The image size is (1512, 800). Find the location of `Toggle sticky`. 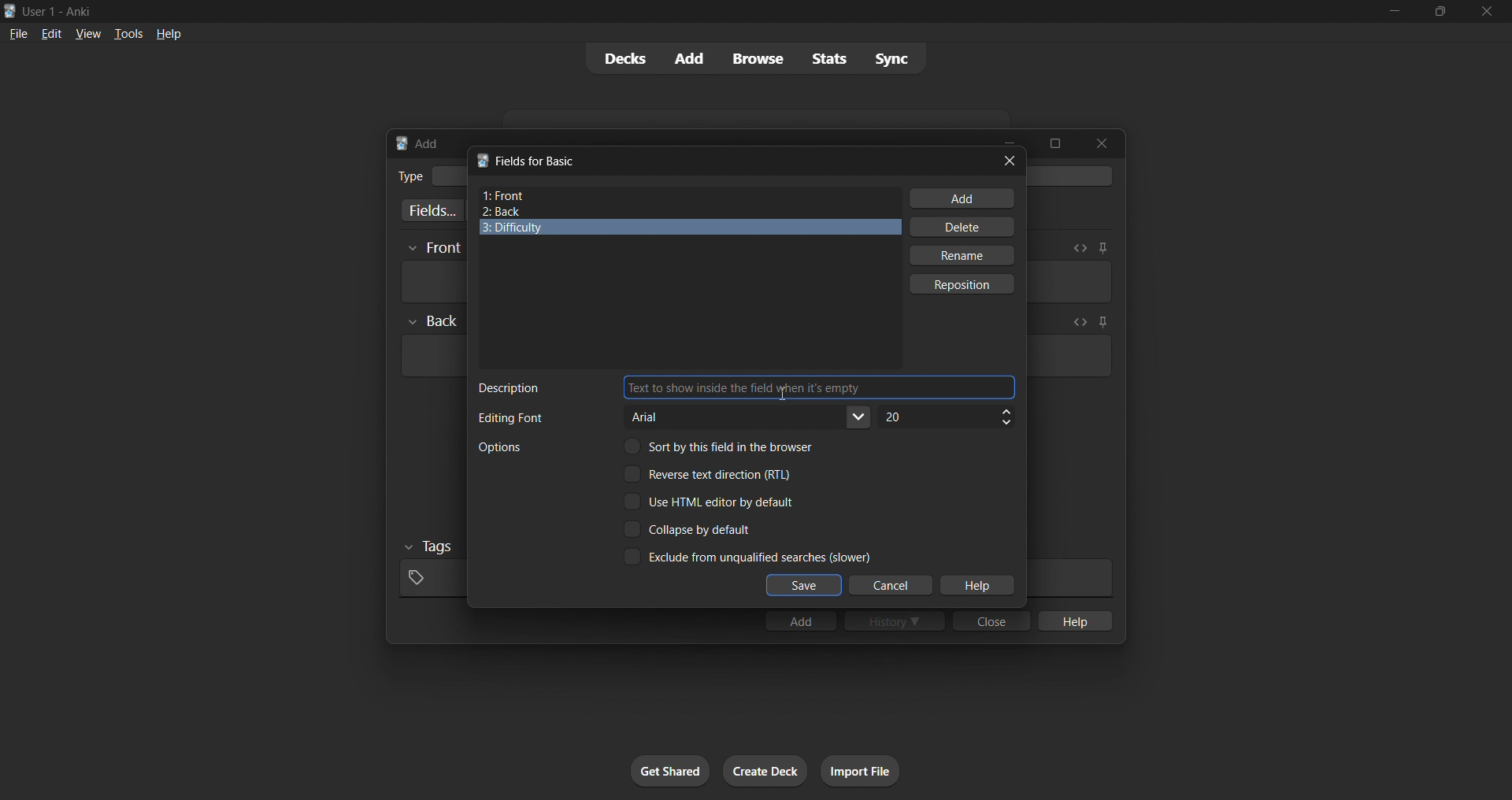

Toggle sticky is located at coordinates (1100, 324).